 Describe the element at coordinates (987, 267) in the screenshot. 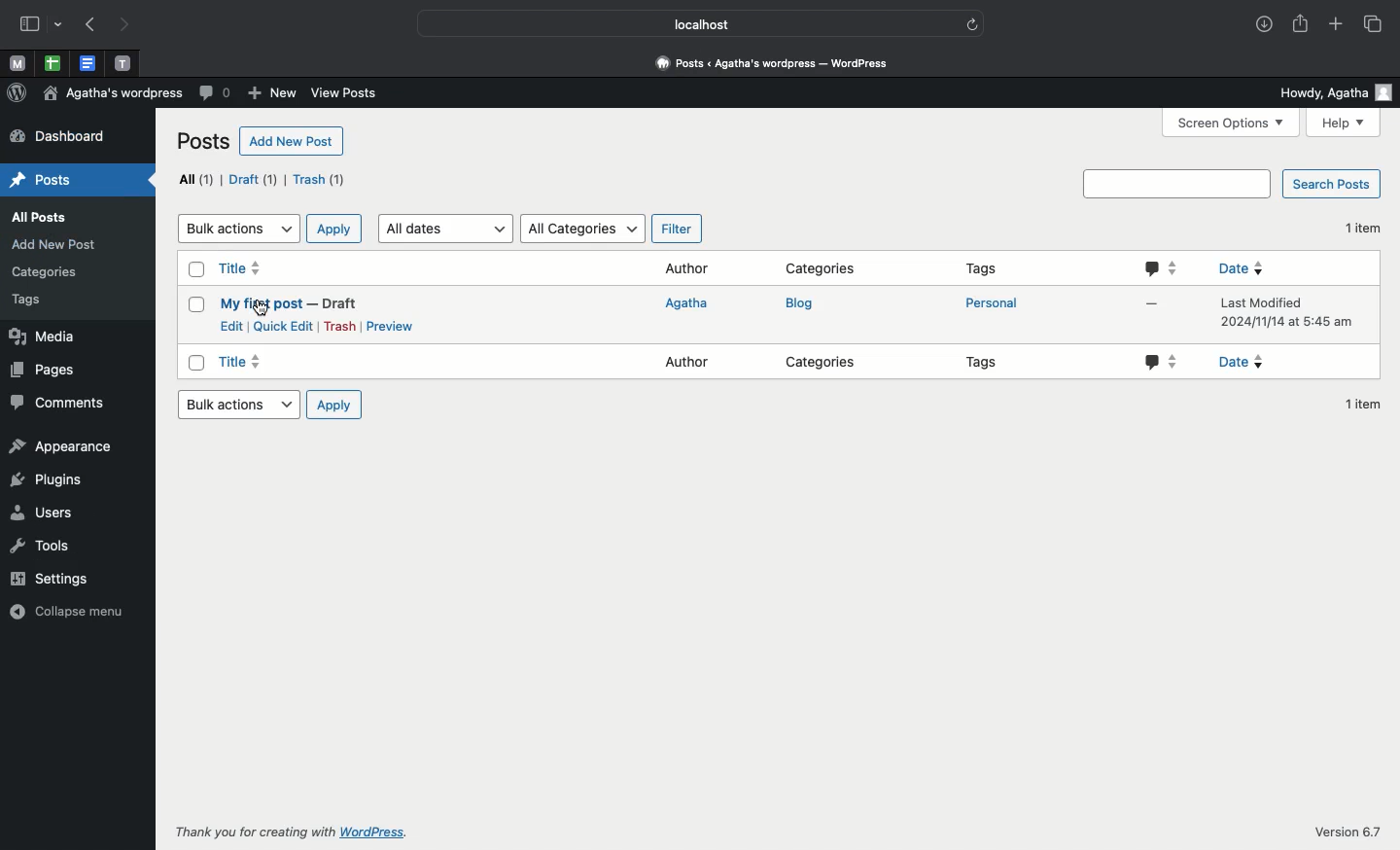

I see `Tags` at that location.